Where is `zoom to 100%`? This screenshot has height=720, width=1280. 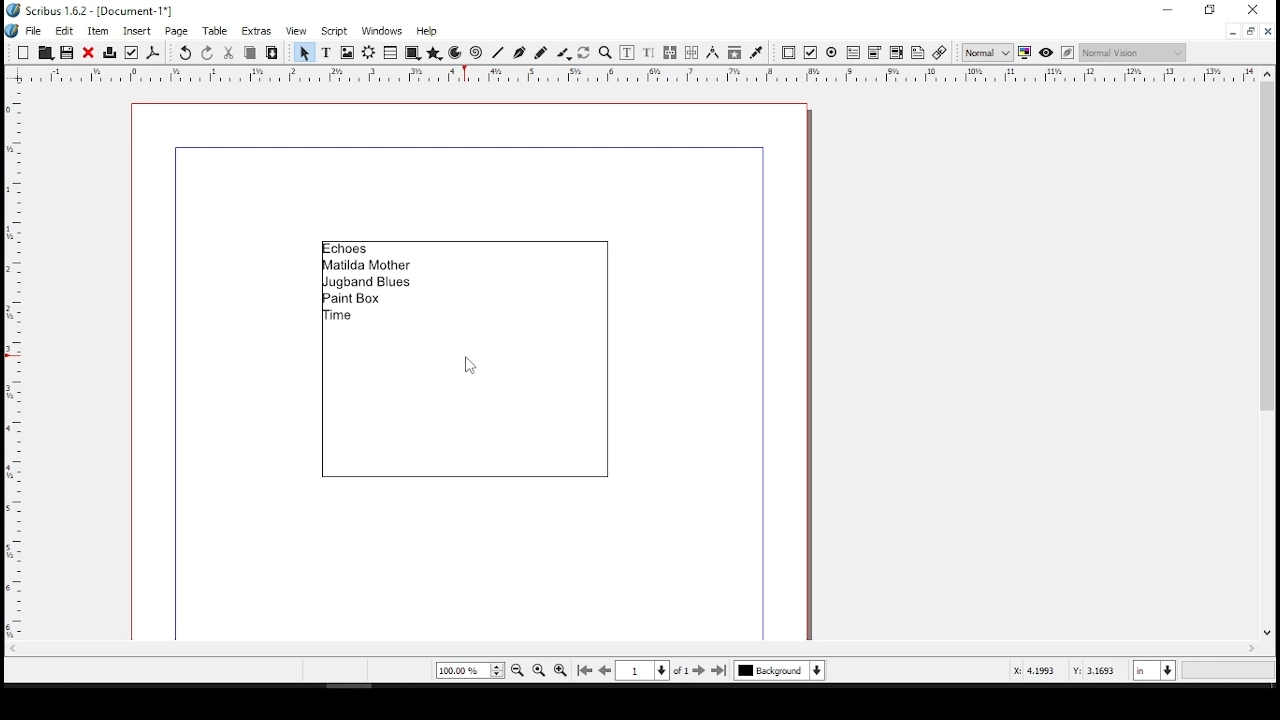 zoom to 100% is located at coordinates (539, 669).